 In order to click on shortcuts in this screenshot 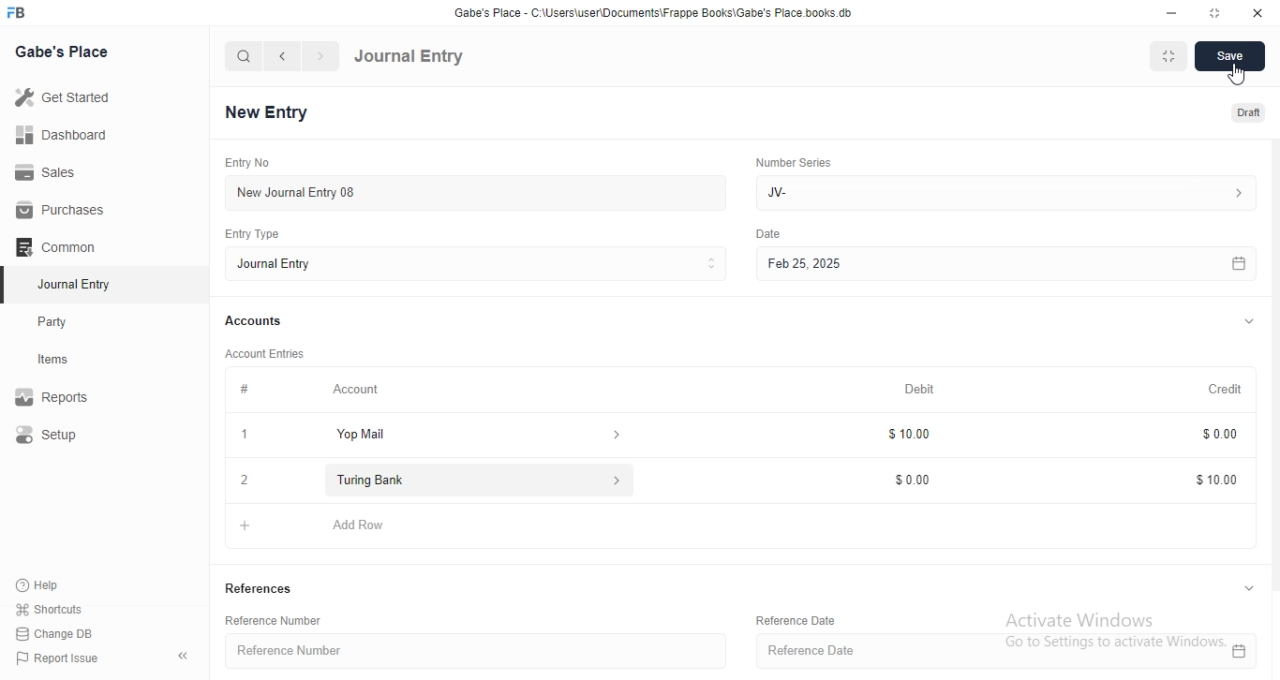, I will do `click(62, 608)`.